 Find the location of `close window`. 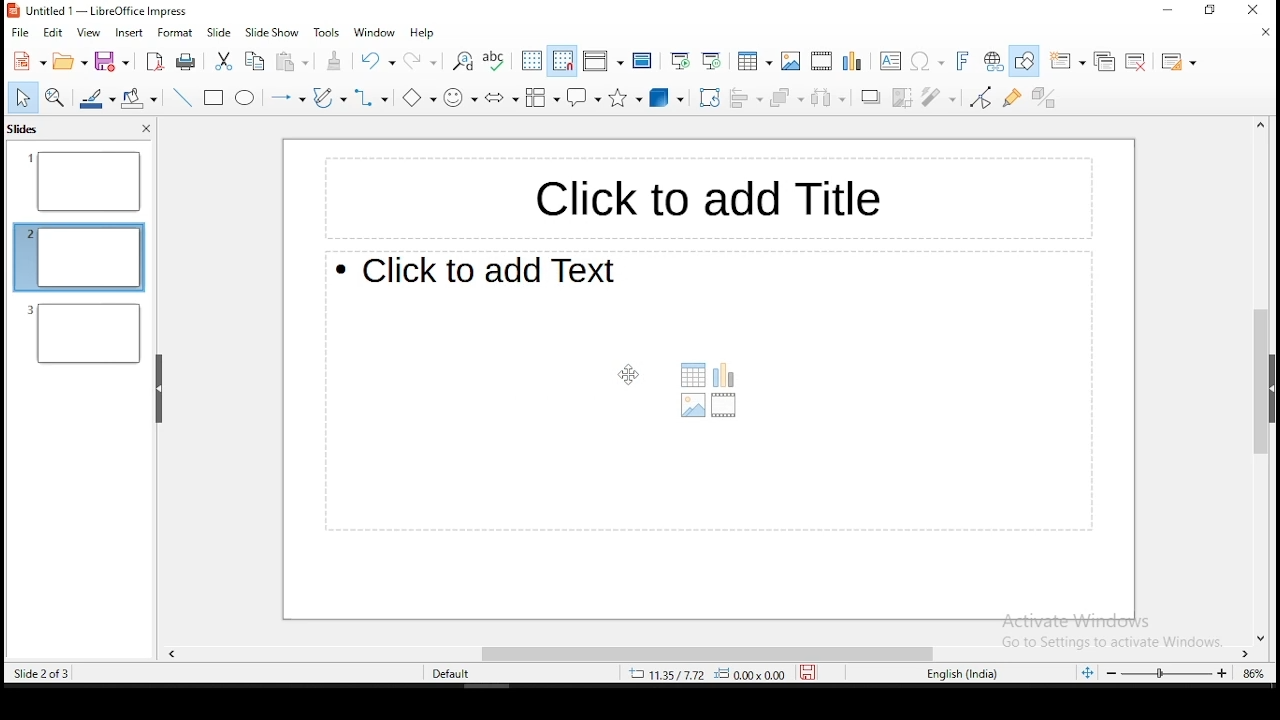

close window is located at coordinates (1259, 10).